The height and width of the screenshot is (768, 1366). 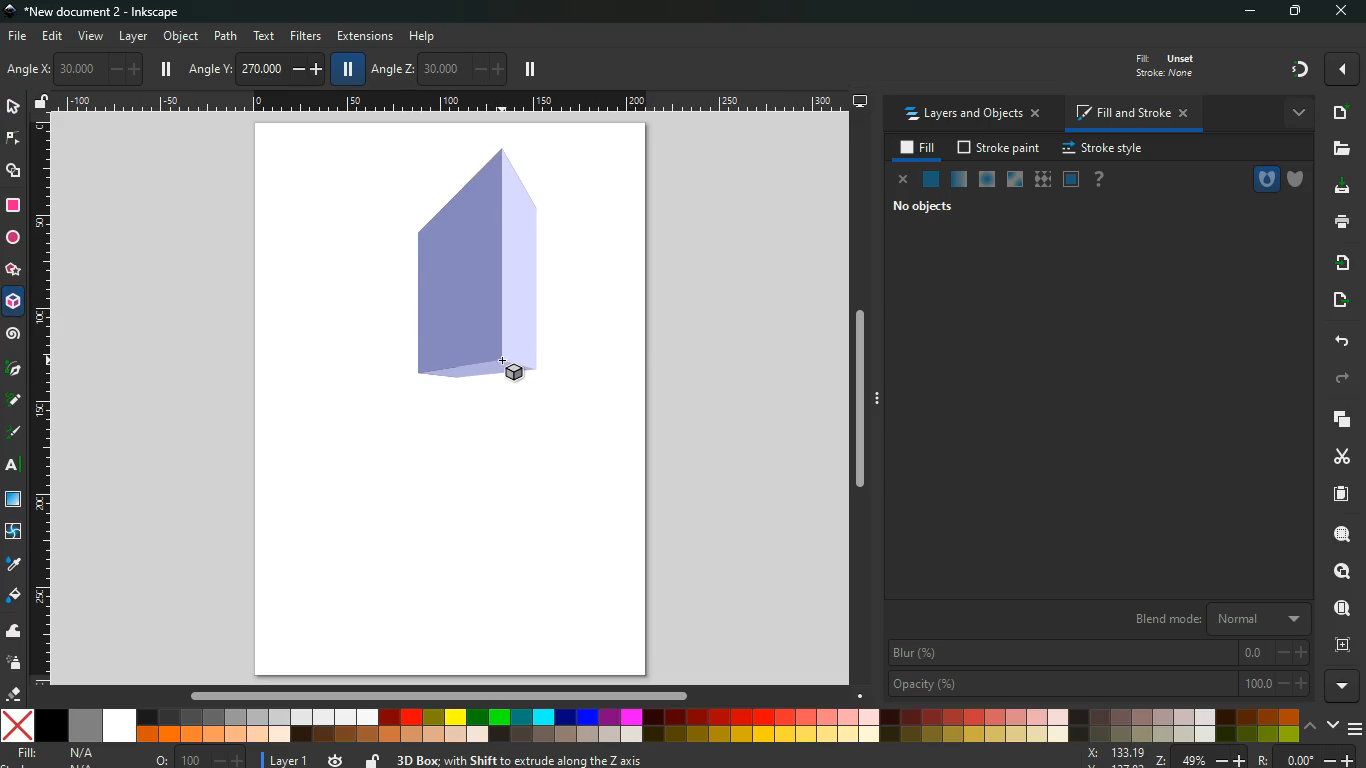 What do you see at coordinates (1336, 418) in the screenshot?
I see `layers` at bounding box center [1336, 418].